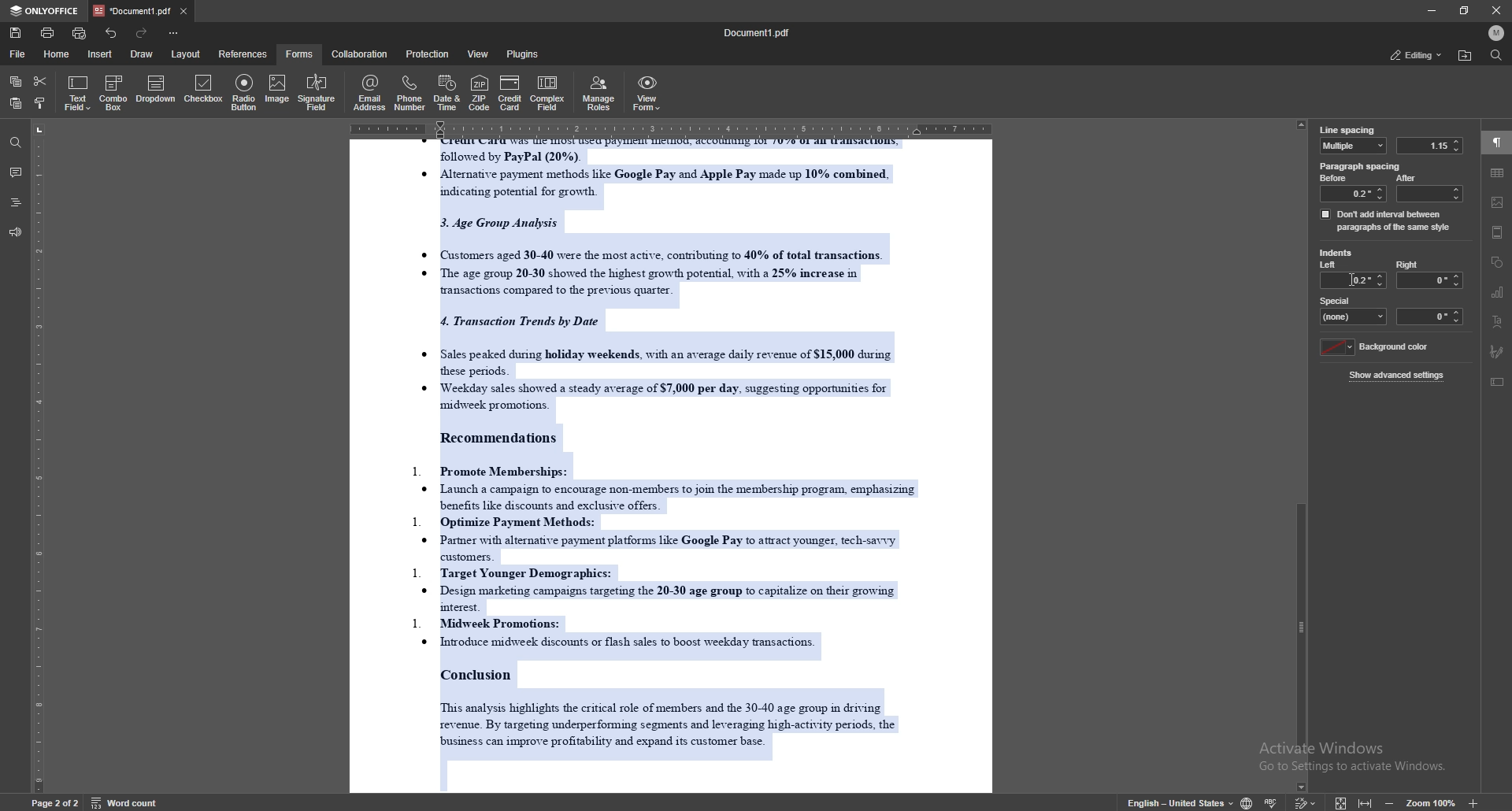  What do you see at coordinates (479, 92) in the screenshot?
I see `zip code` at bounding box center [479, 92].